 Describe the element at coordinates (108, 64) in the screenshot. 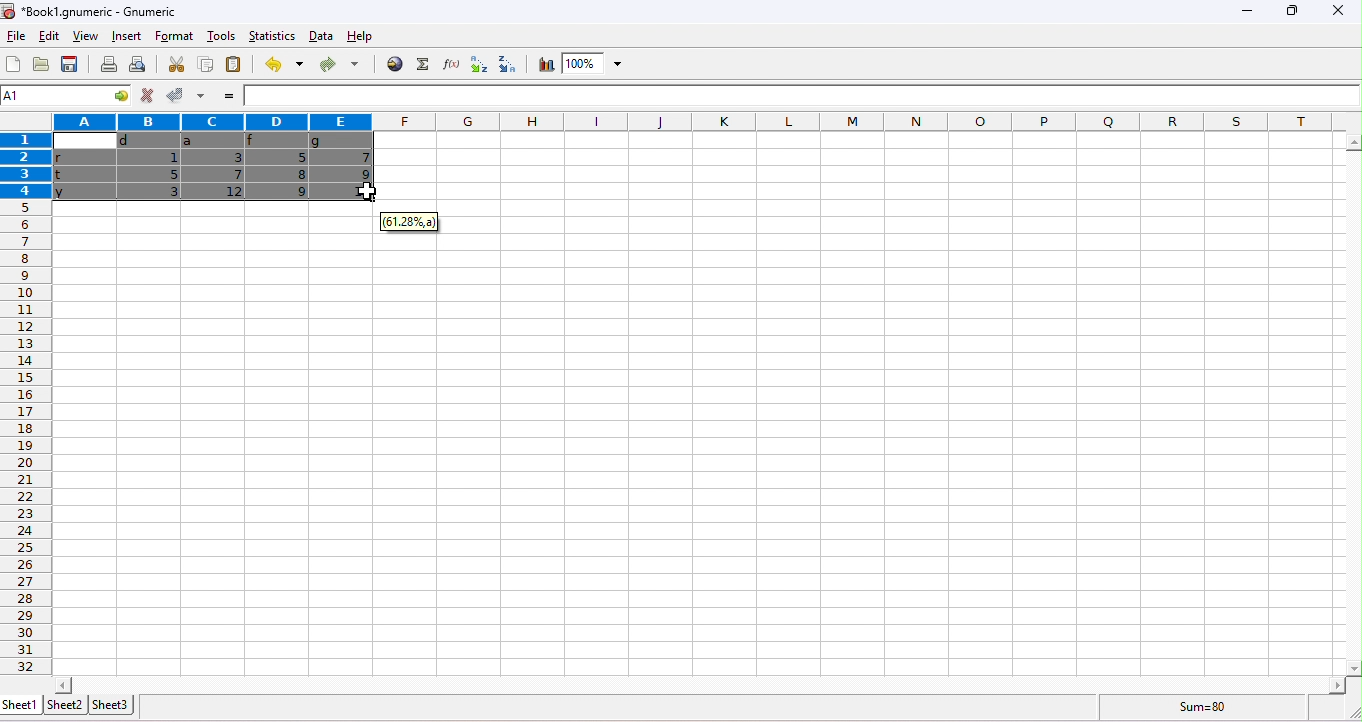

I see `print` at that location.